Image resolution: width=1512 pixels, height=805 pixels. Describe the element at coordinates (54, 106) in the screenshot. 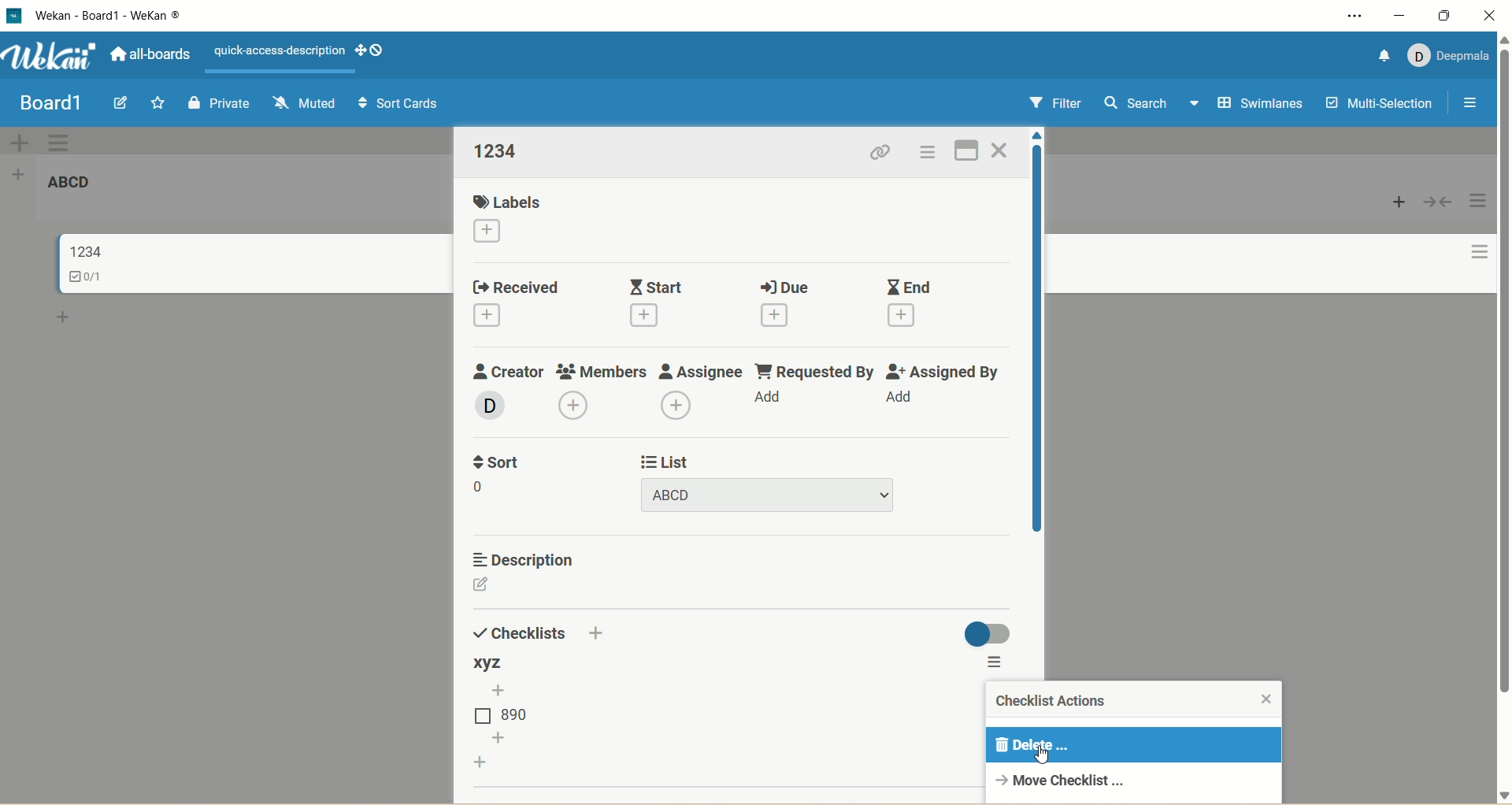

I see `board1` at that location.